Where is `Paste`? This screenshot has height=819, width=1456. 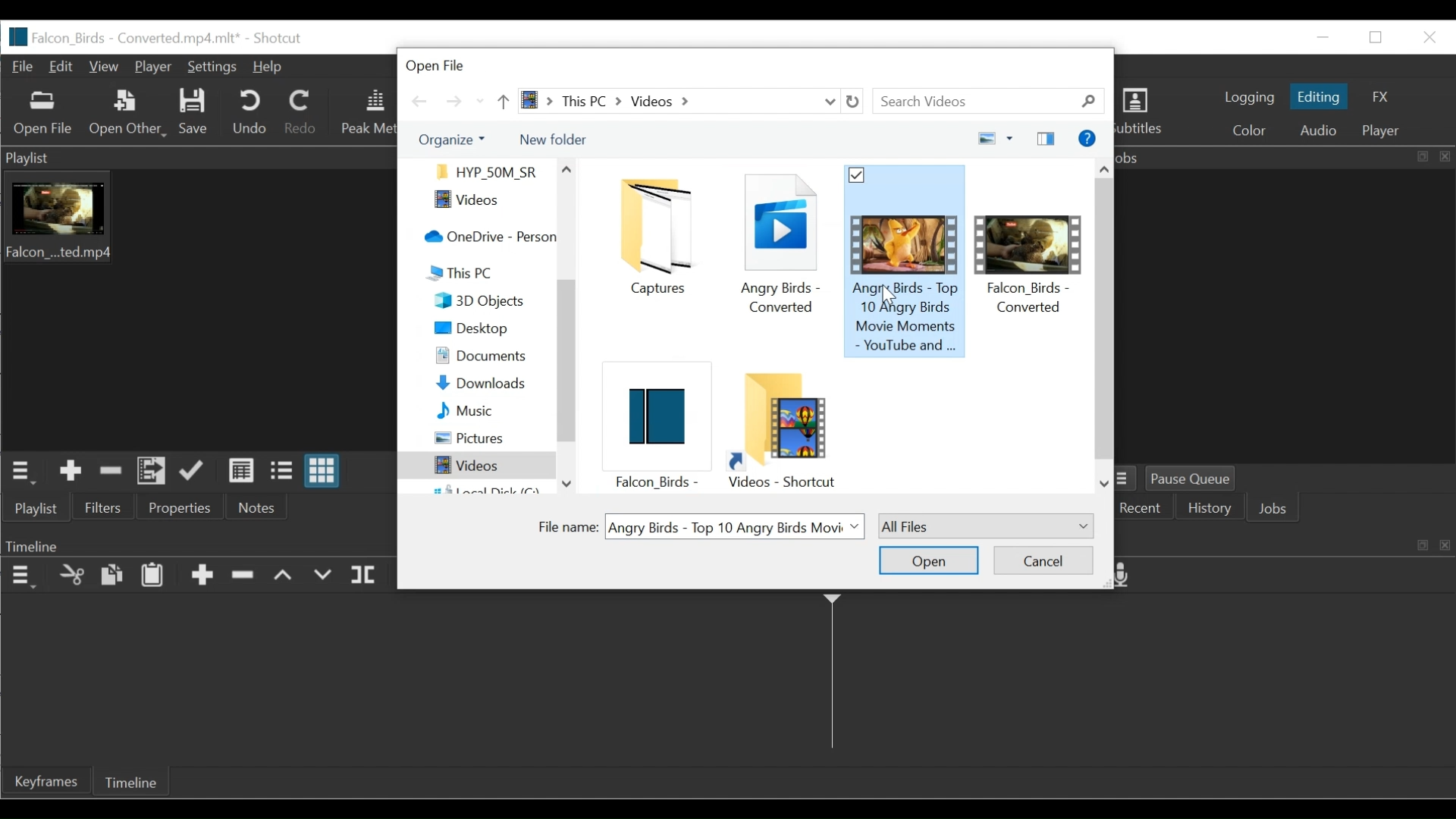
Paste is located at coordinates (152, 576).